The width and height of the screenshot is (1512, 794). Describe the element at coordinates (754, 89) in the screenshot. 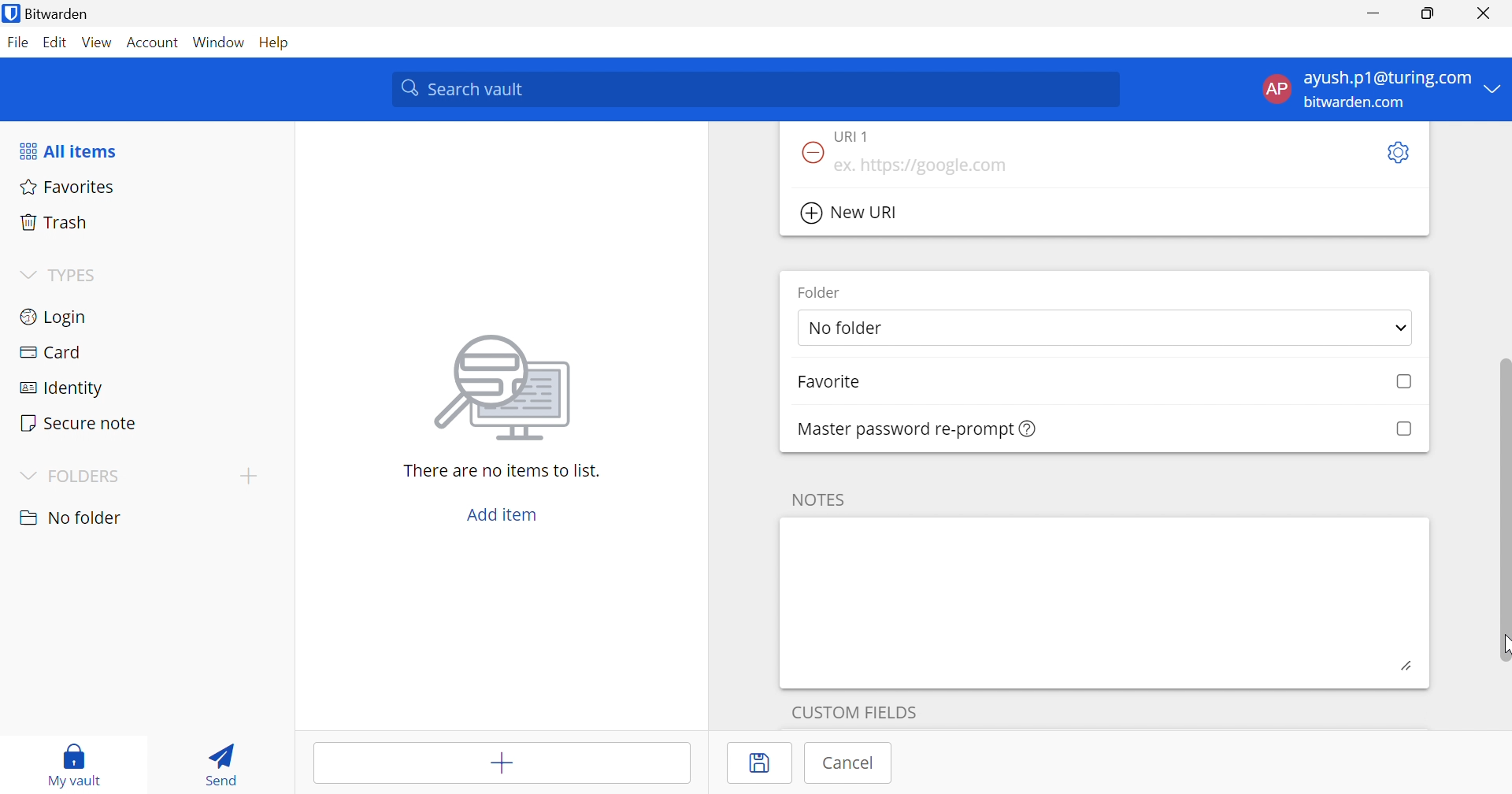

I see `Search vault` at that location.